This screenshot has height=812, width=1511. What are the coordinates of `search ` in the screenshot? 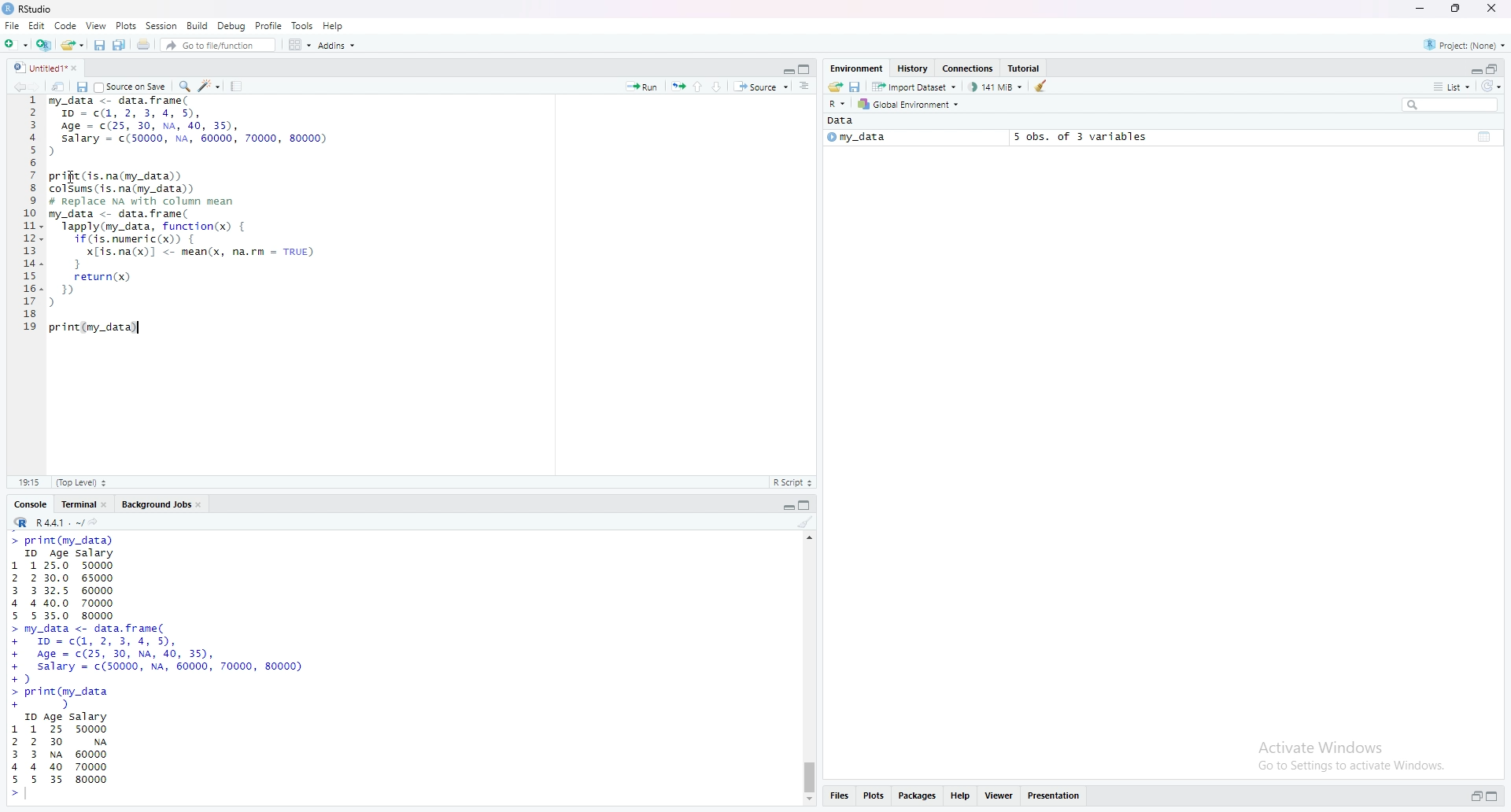 It's located at (1451, 106).